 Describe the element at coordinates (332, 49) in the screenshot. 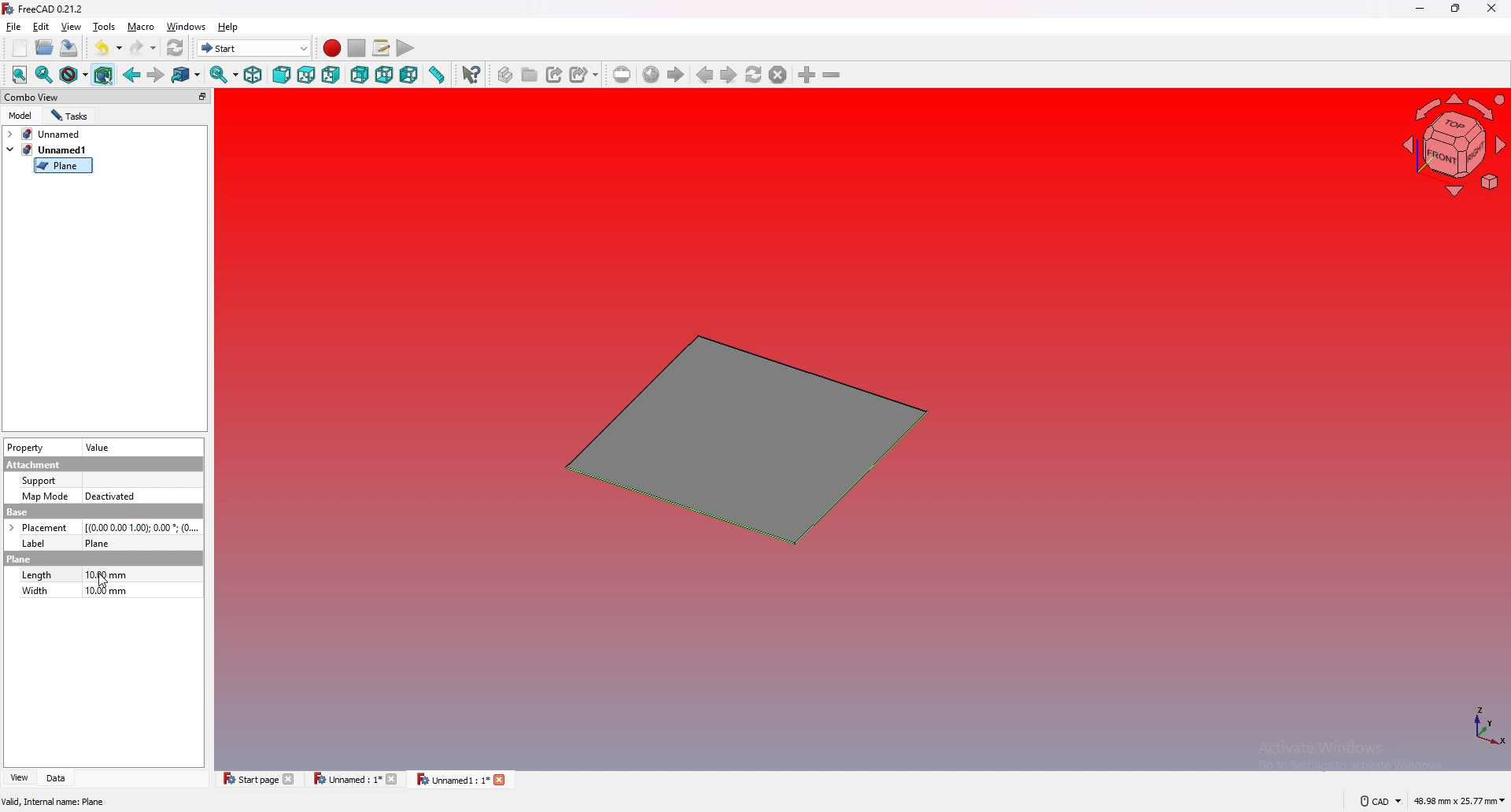

I see `record macros` at that location.